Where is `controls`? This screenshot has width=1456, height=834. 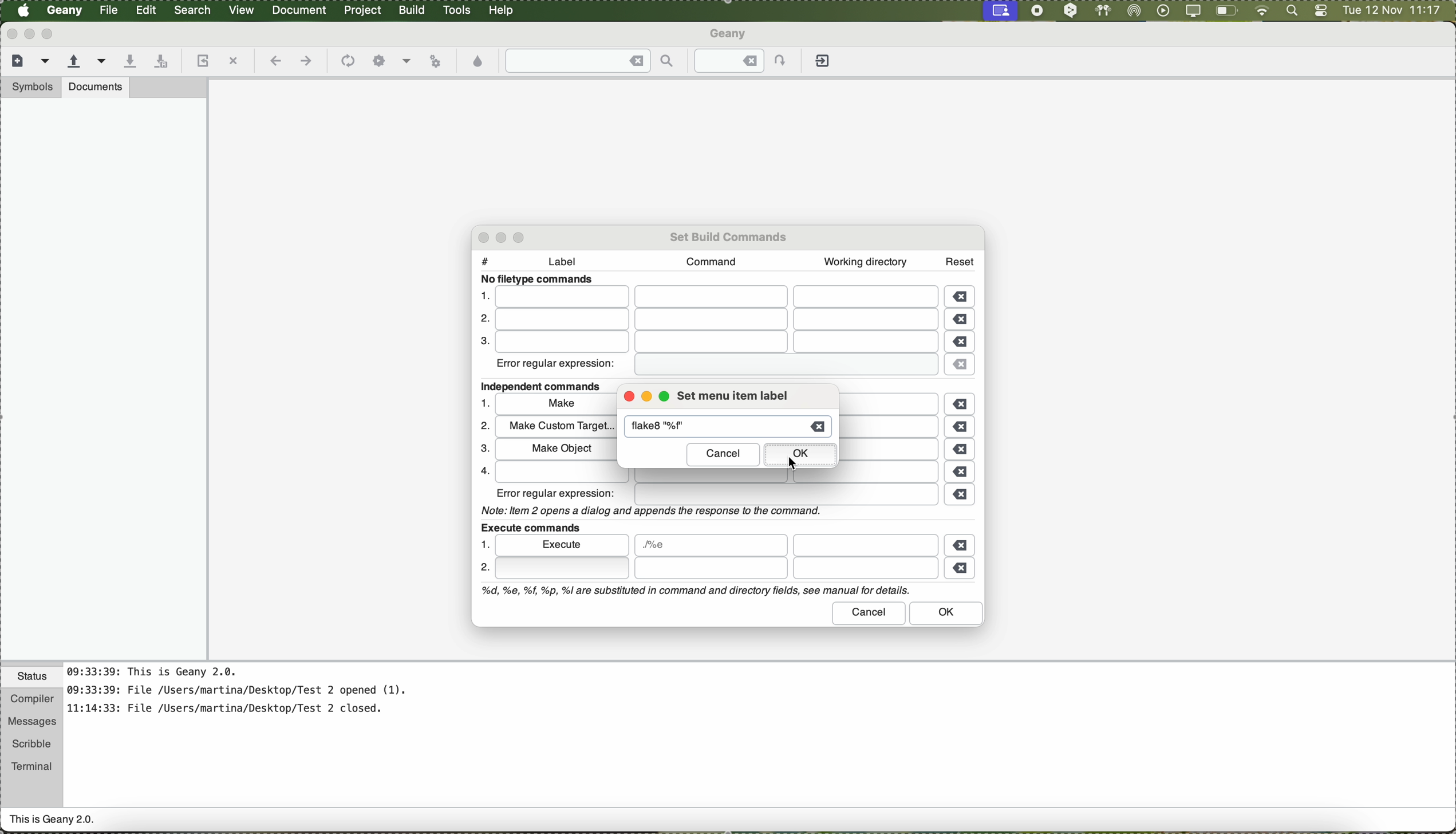
controls is located at coordinates (1321, 11).